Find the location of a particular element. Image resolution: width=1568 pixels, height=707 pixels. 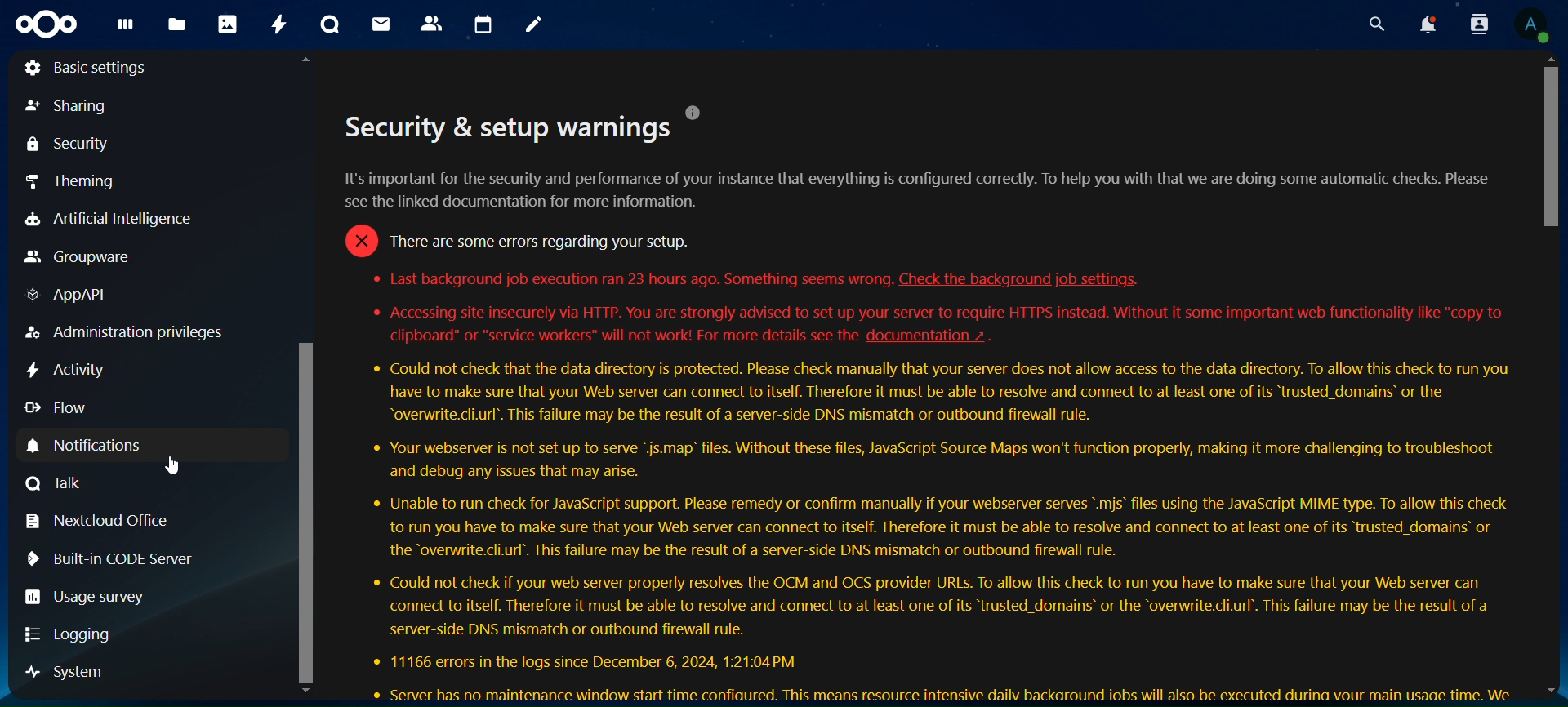

system is located at coordinates (59, 673).